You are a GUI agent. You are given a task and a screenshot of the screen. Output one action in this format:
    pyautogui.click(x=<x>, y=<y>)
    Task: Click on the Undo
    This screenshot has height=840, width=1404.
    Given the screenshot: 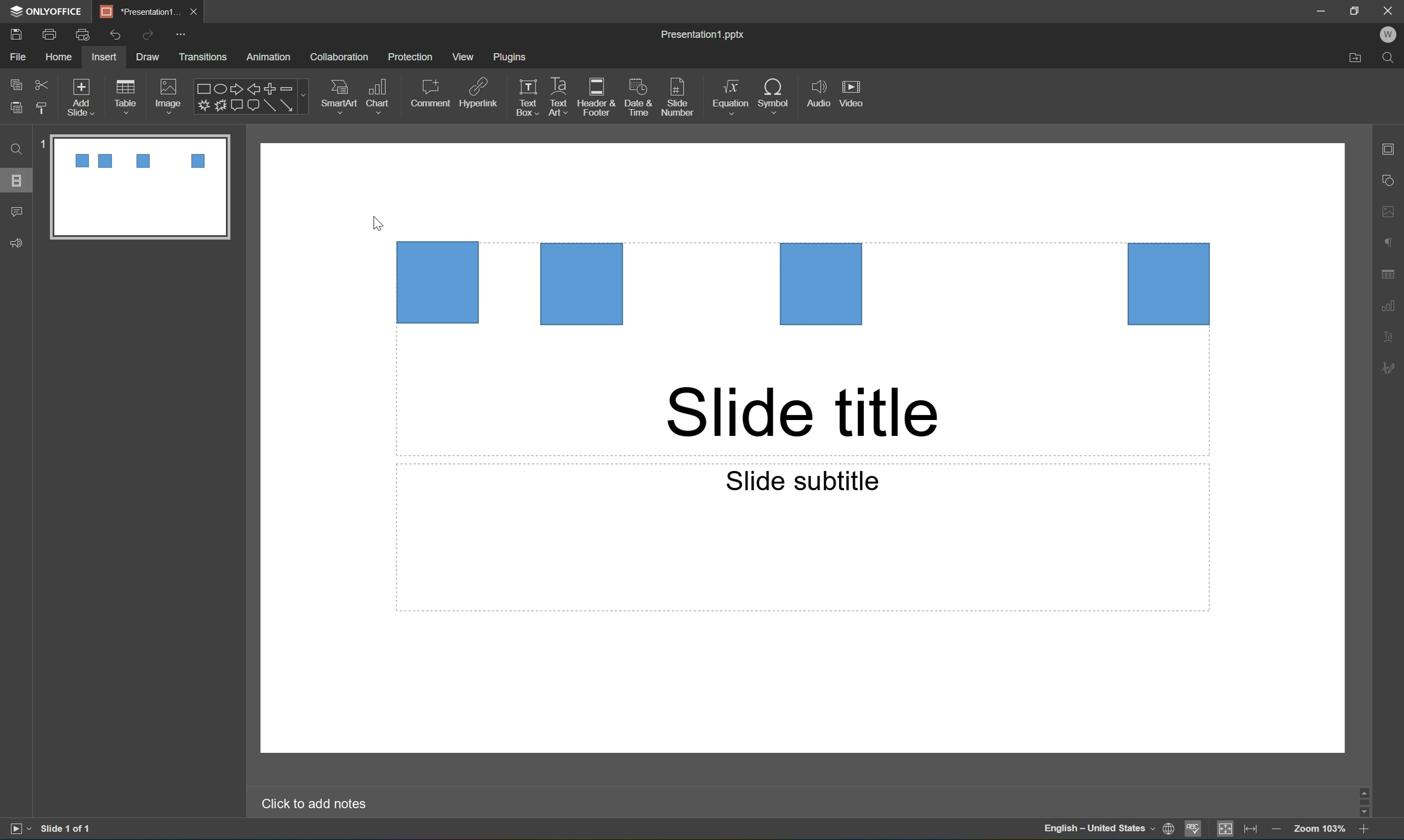 What is the action you would take?
    pyautogui.click(x=115, y=33)
    